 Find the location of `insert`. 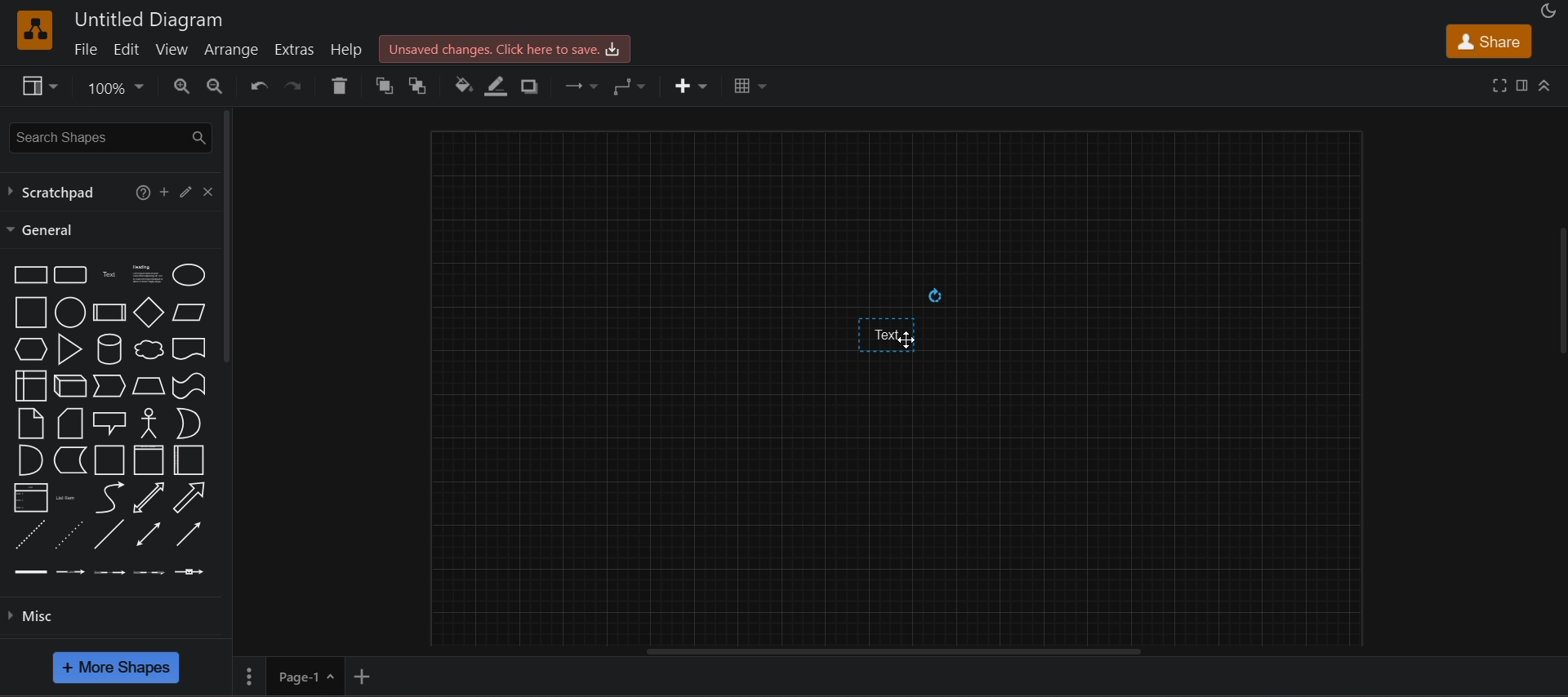

insert is located at coordinates (692, 86).